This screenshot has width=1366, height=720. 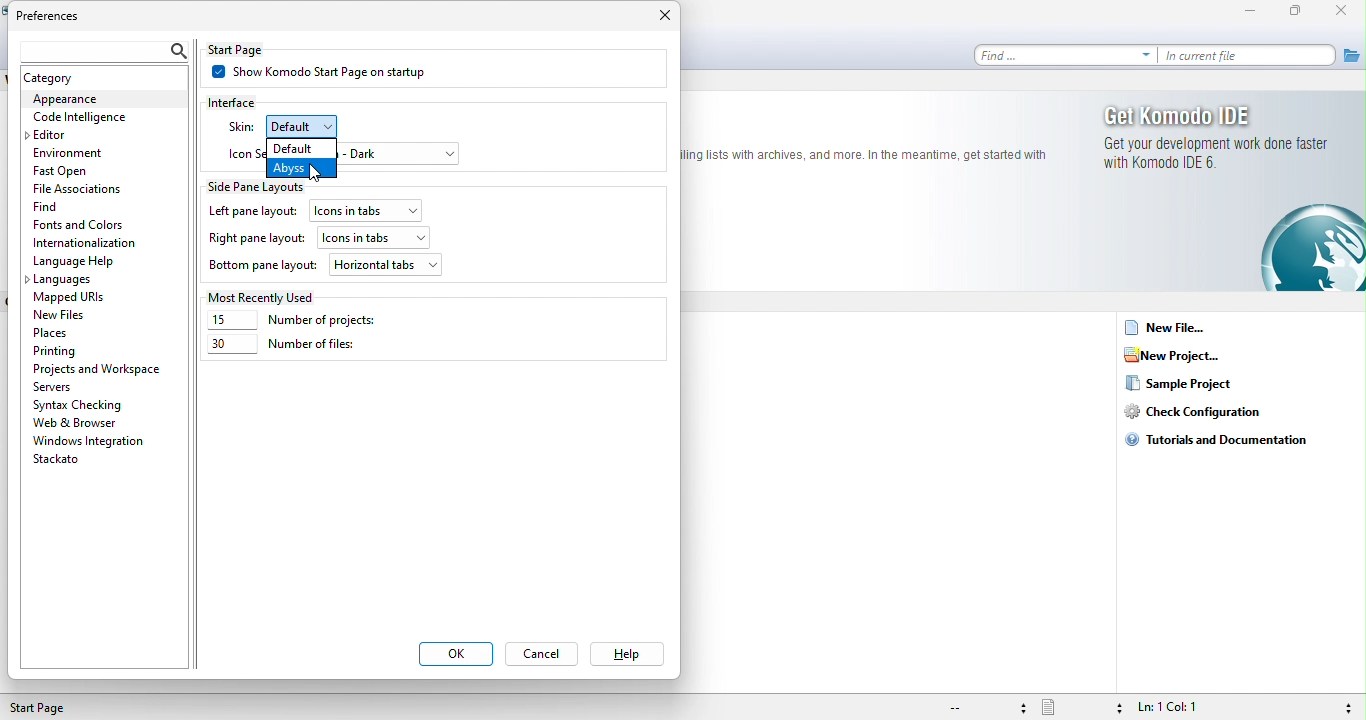 What do you see at coordinates (240, 127) in the screenshot?
I see `skin` at bounding box center [240, 127].